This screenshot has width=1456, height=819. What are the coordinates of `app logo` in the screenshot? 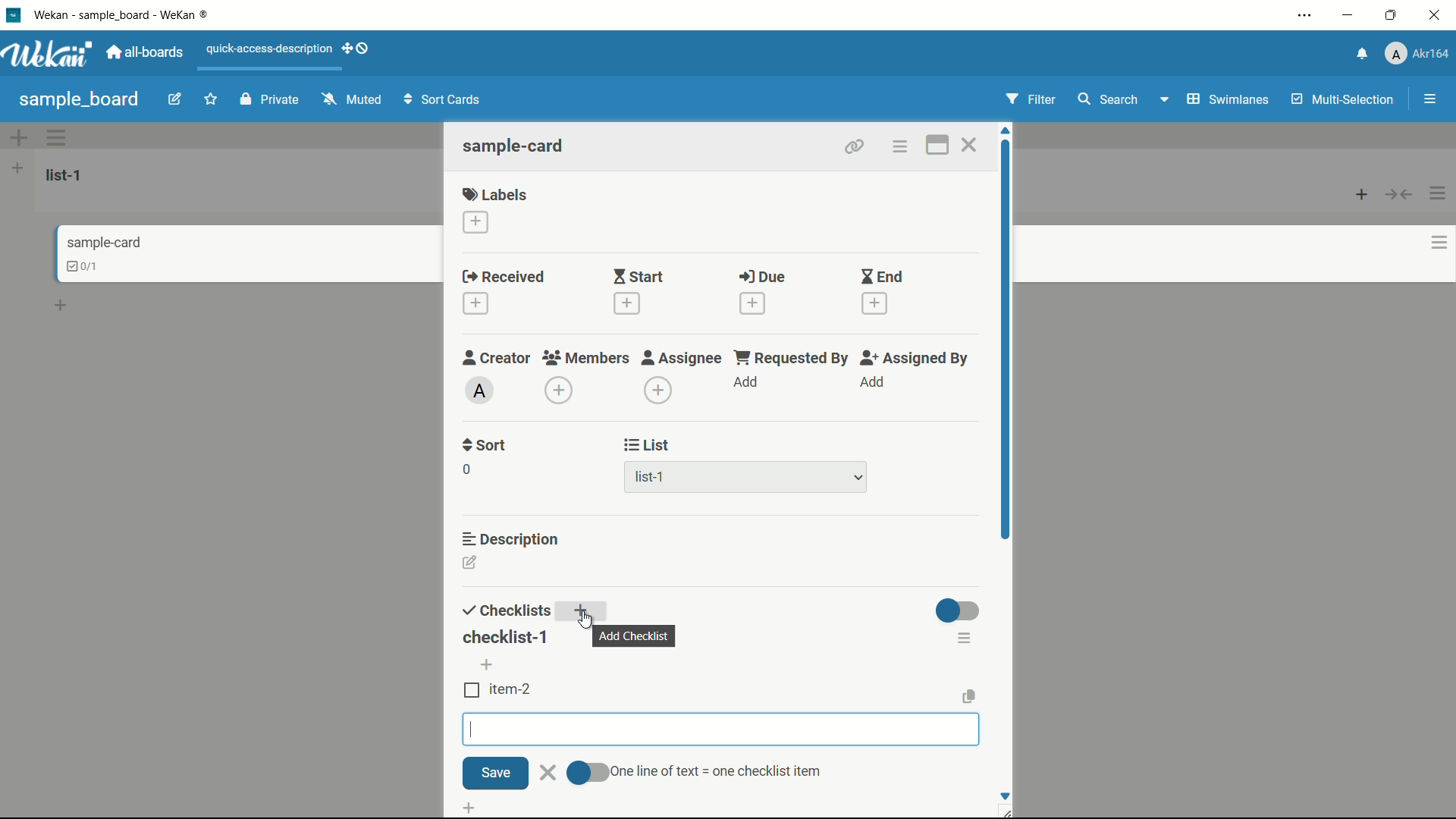 It's located at (47, 54).